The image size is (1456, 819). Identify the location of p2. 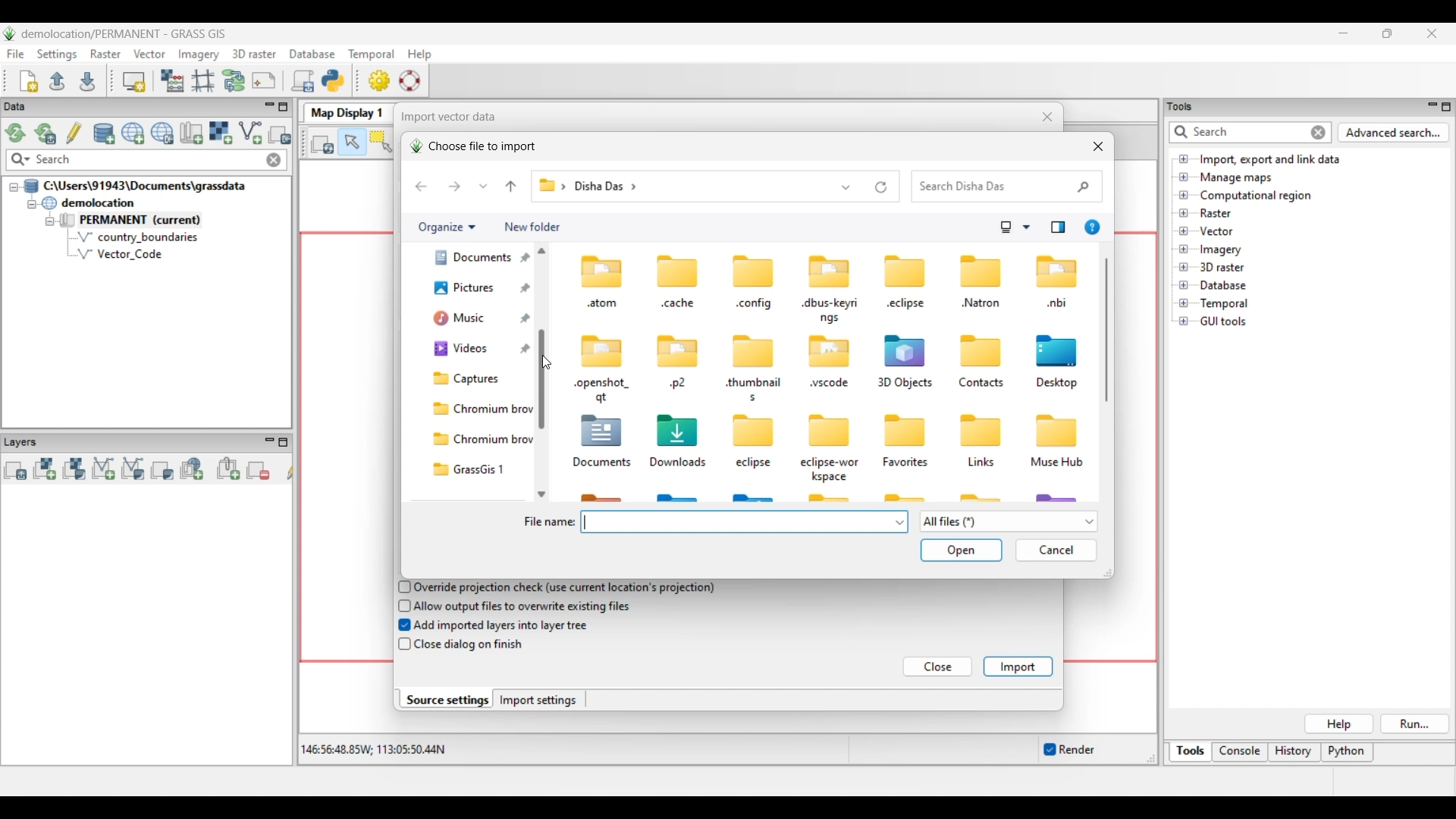
(678, 384).